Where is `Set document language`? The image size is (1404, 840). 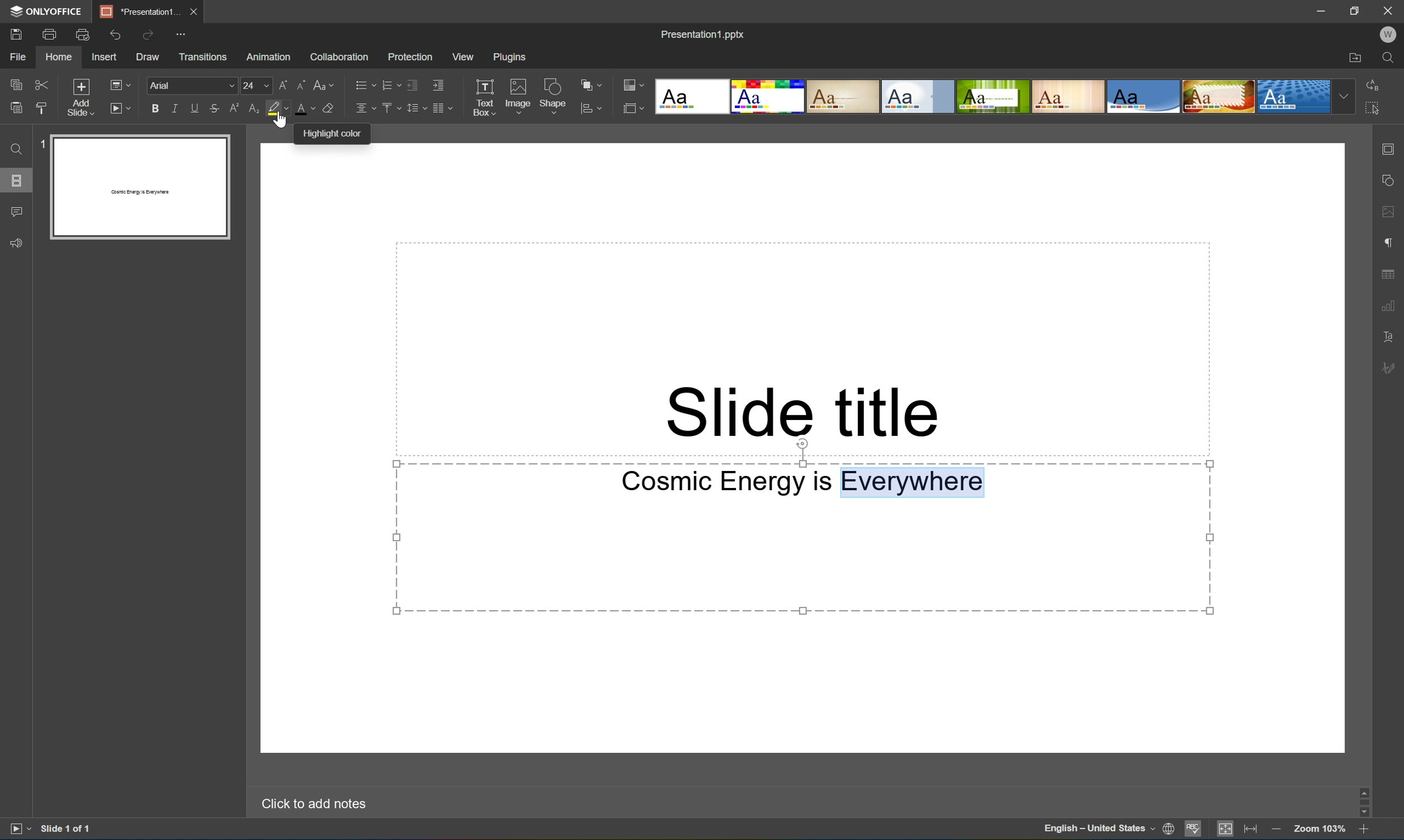
Set document language is located at coordinates (1168, 830).